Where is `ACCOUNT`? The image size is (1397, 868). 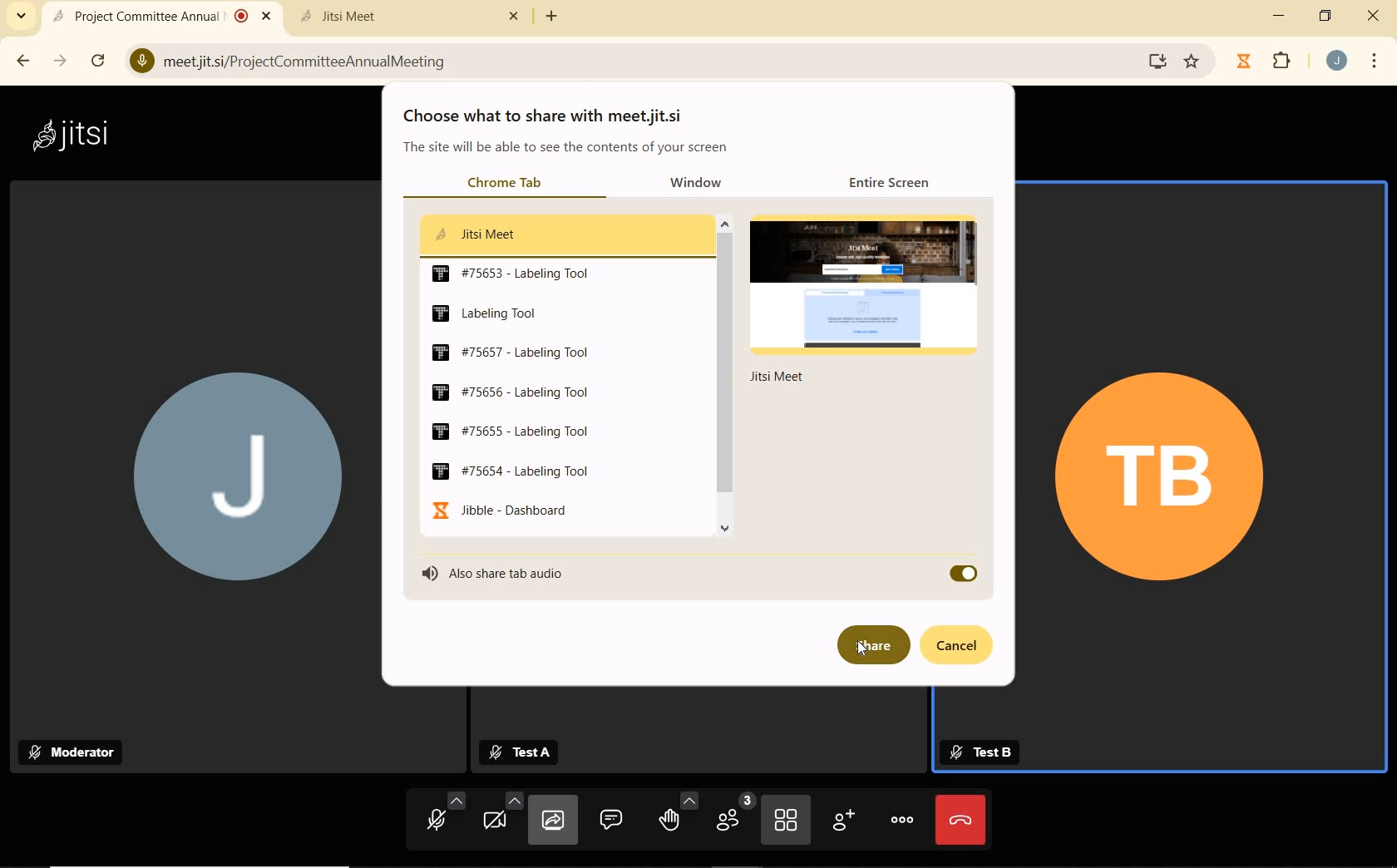
ACCOUNT is located at coordinates (1337, 61).